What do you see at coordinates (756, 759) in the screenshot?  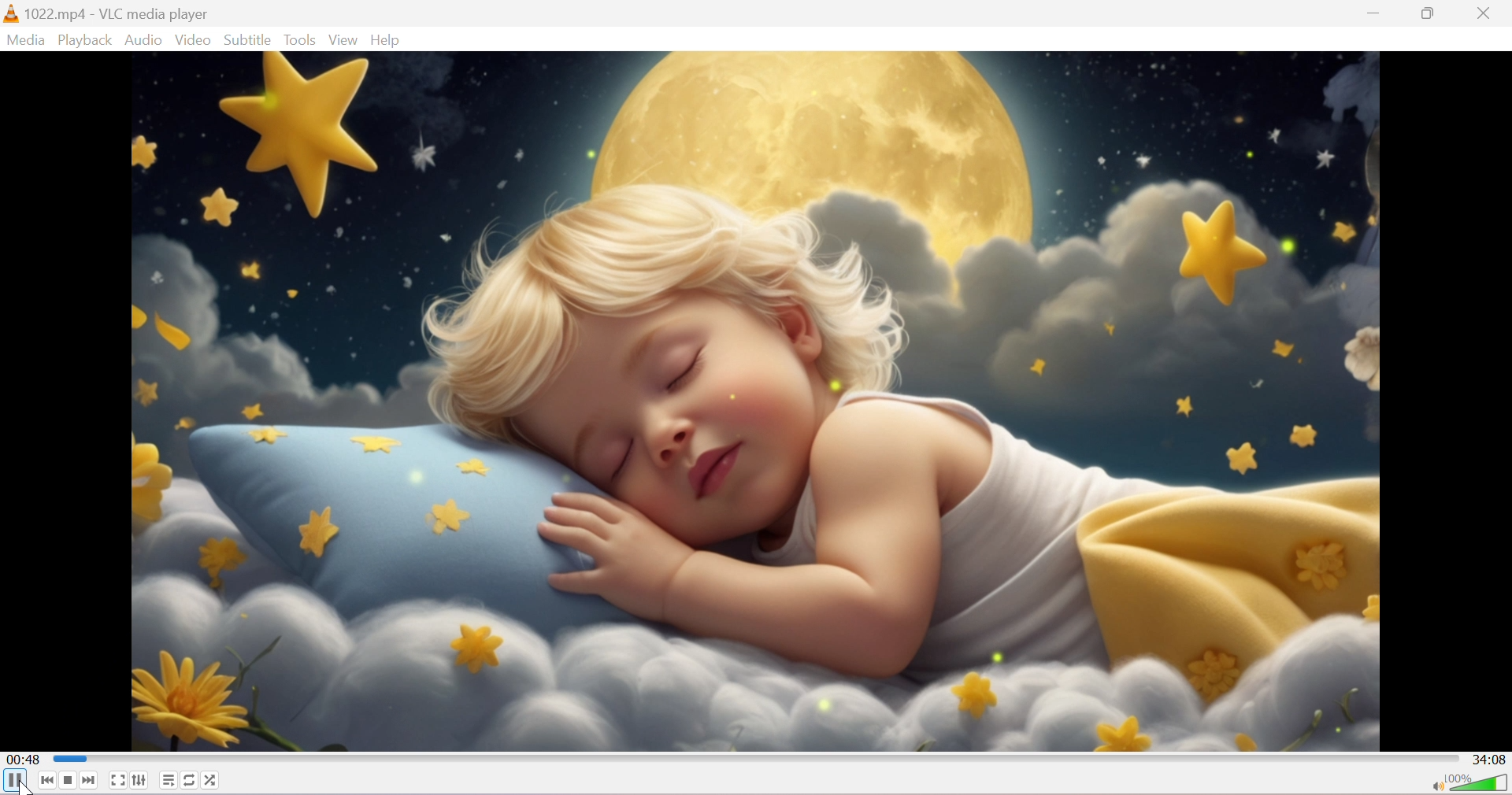 I see `Progress bar` at bounding box center [756, 759].